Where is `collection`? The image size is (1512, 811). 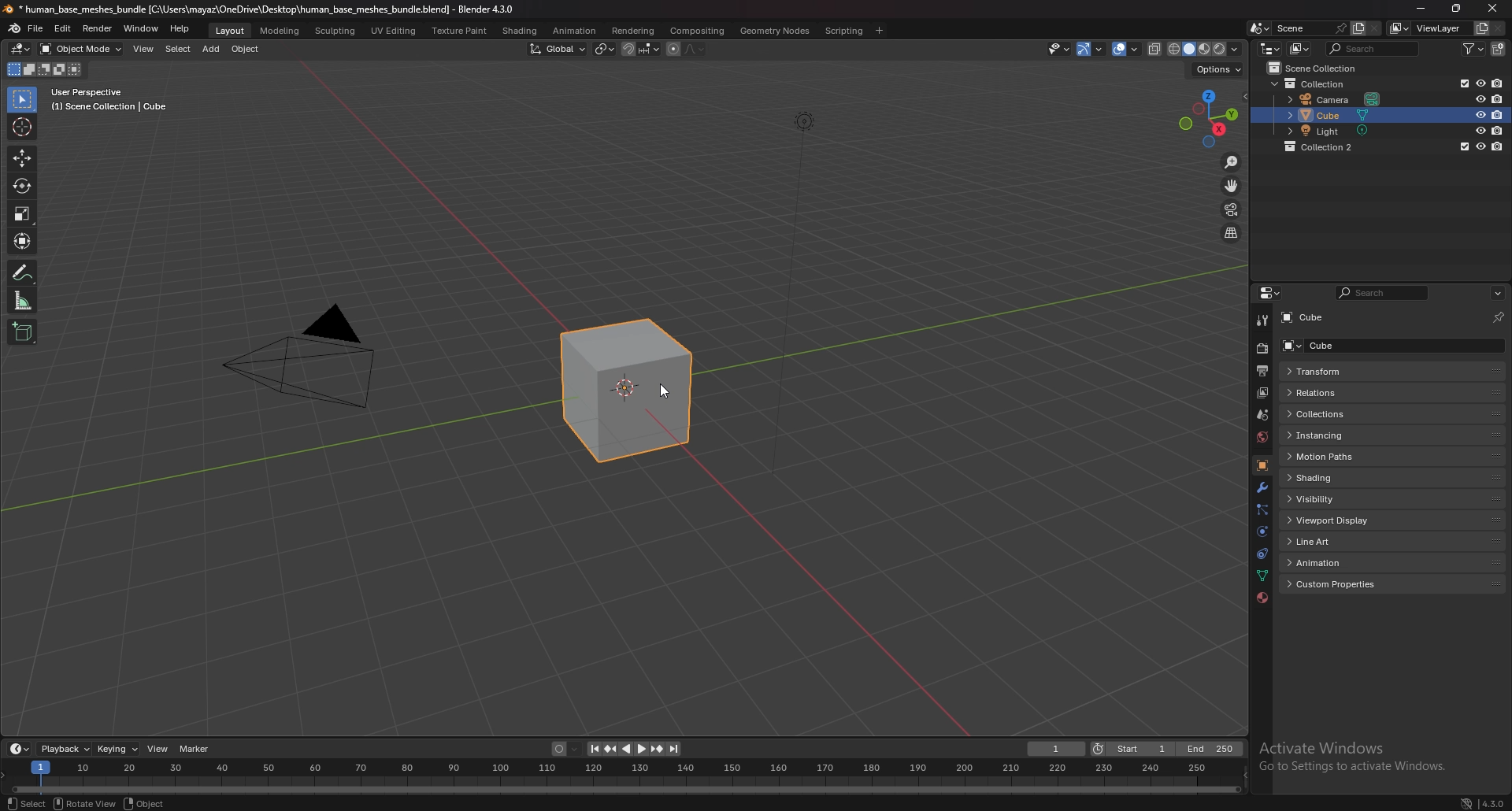 collection is located at coordinates (1329, 146).